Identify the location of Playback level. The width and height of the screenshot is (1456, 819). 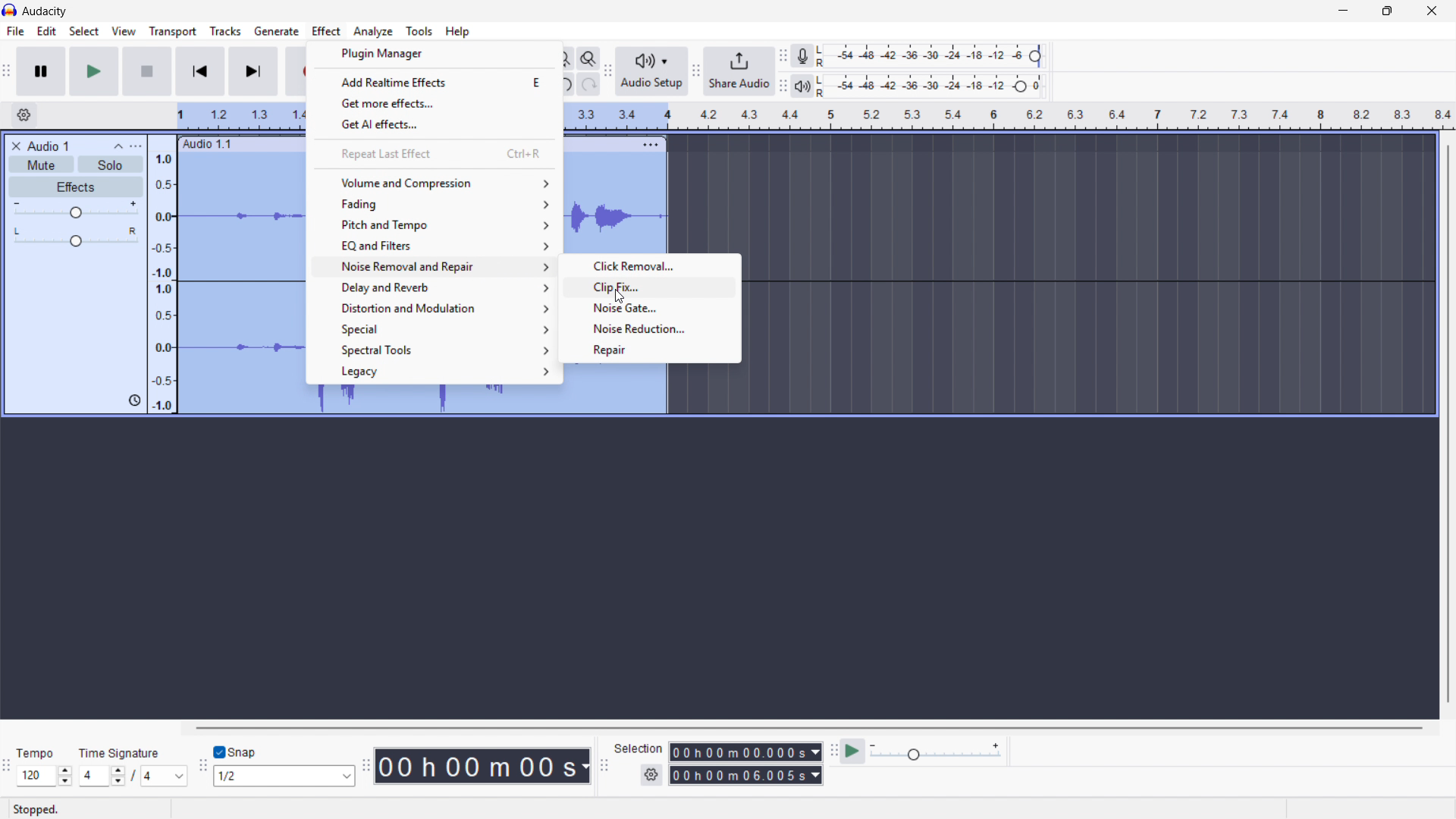
(934, 86).